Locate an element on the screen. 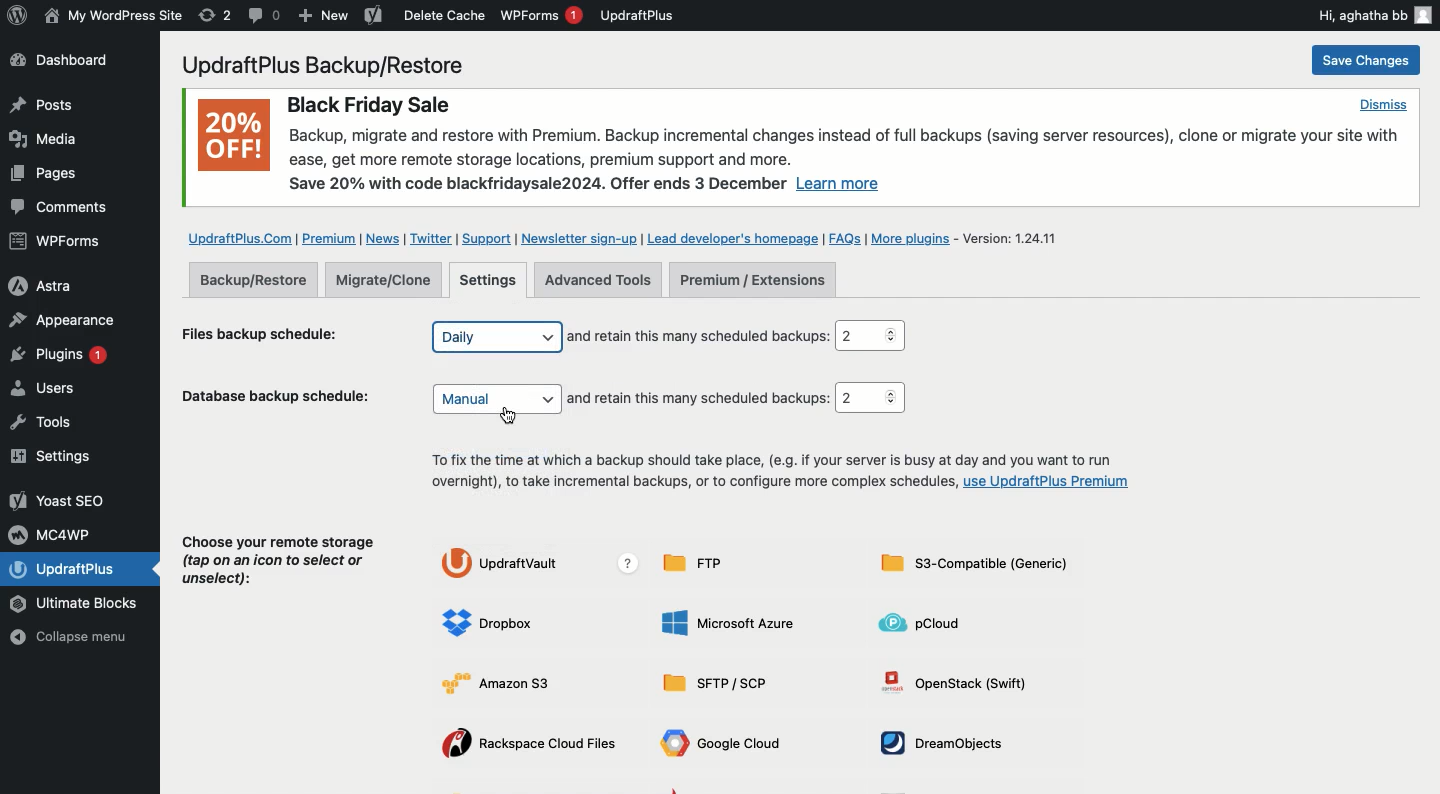  pCLoud is located at coordinates (928, 622).